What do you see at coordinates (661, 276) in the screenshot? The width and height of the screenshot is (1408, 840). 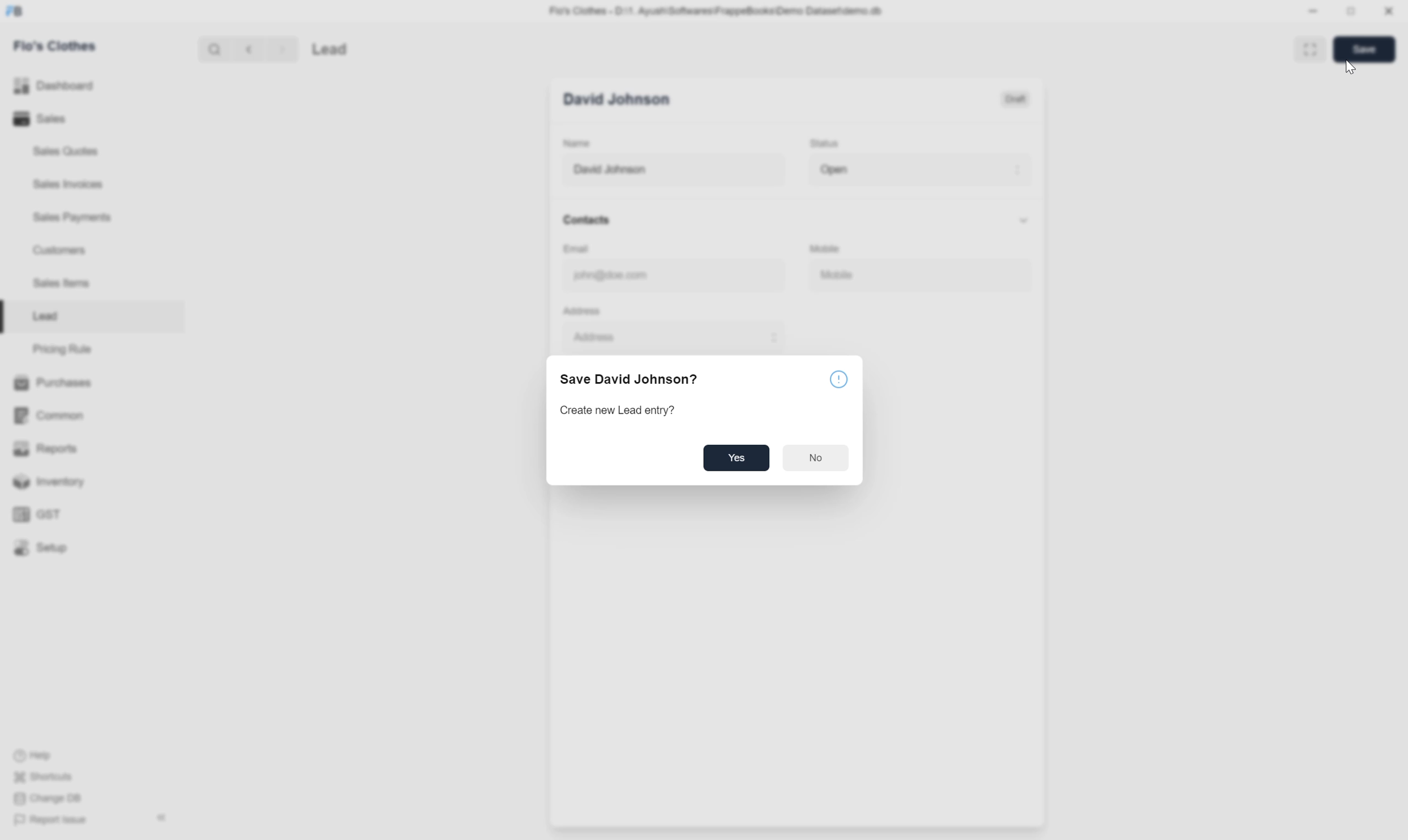 I see `john@doe.com` at bounding box center [661, 276].